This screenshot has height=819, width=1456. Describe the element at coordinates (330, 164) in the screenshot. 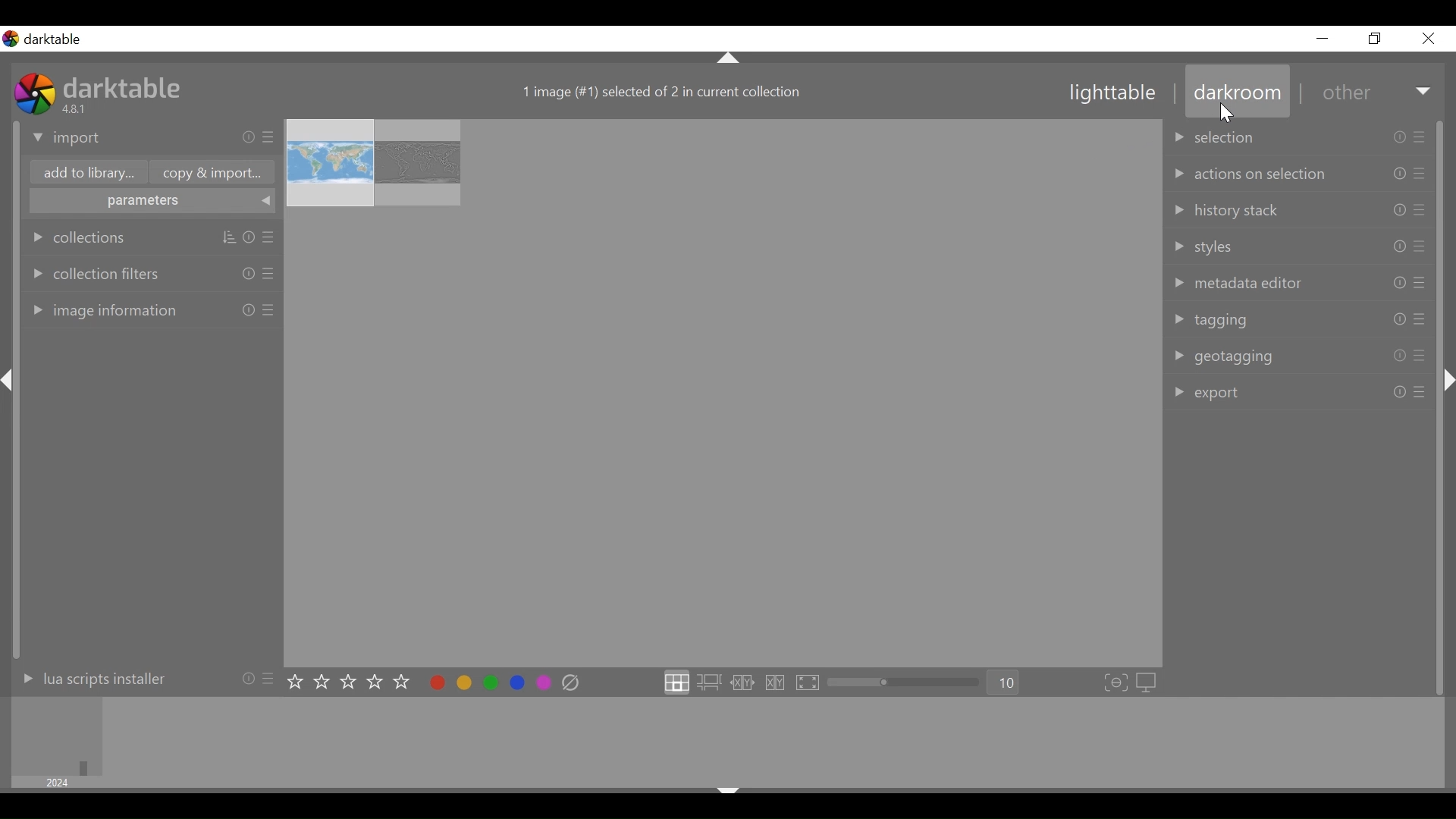

I see `image 1` at that location.